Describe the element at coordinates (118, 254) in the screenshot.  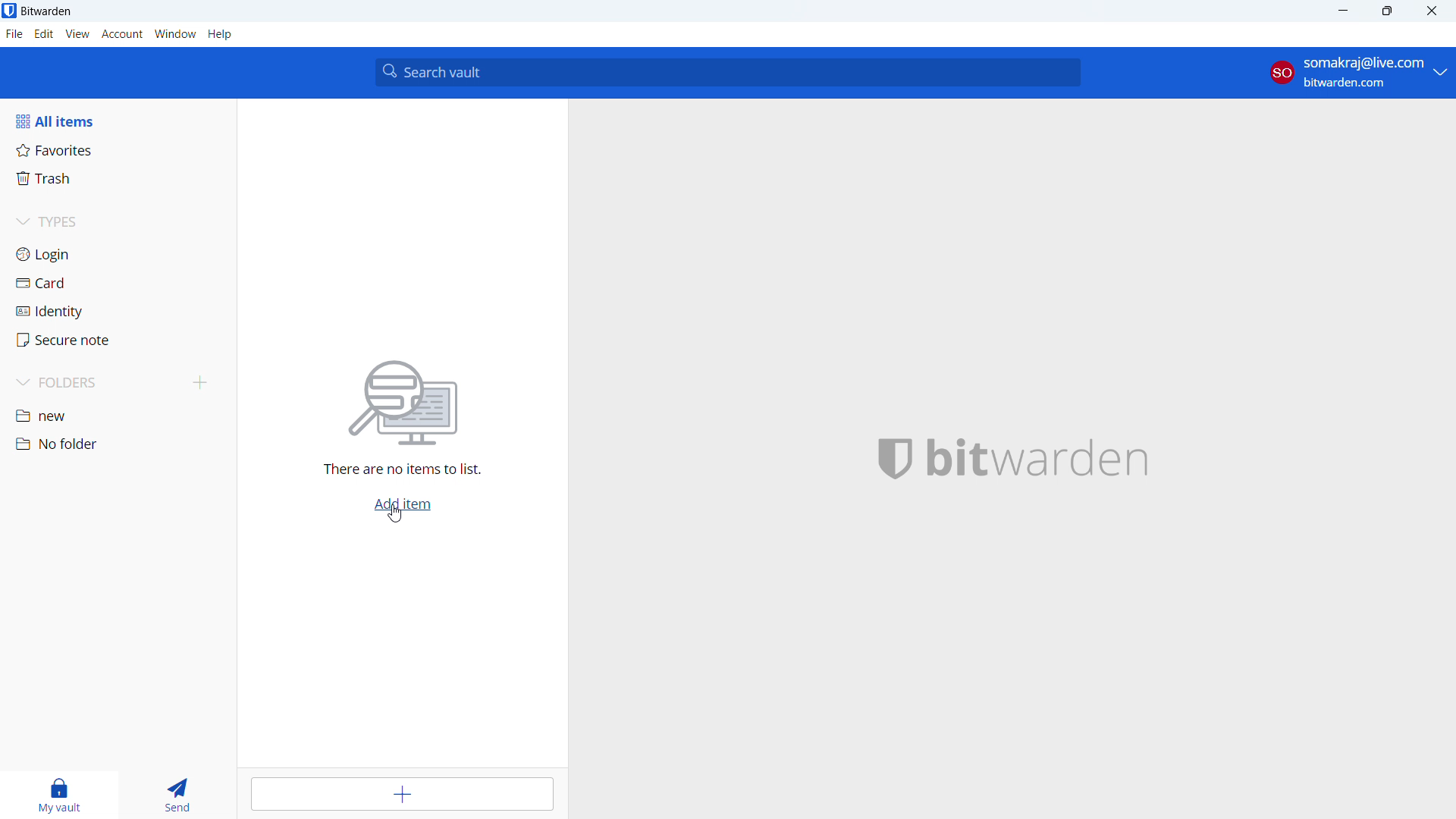
I see `login` at that location.